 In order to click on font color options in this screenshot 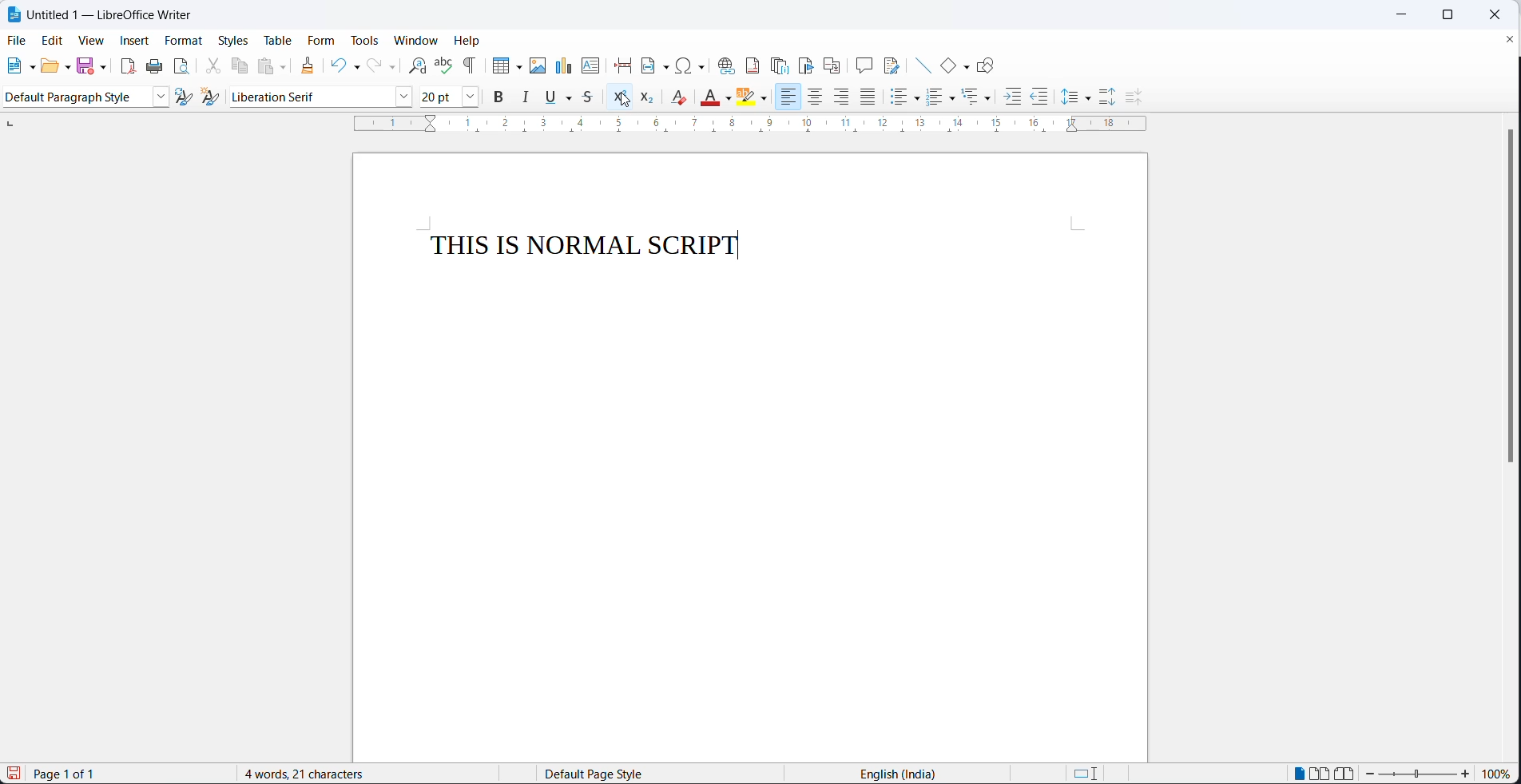, I will do `click(729, 99)`.